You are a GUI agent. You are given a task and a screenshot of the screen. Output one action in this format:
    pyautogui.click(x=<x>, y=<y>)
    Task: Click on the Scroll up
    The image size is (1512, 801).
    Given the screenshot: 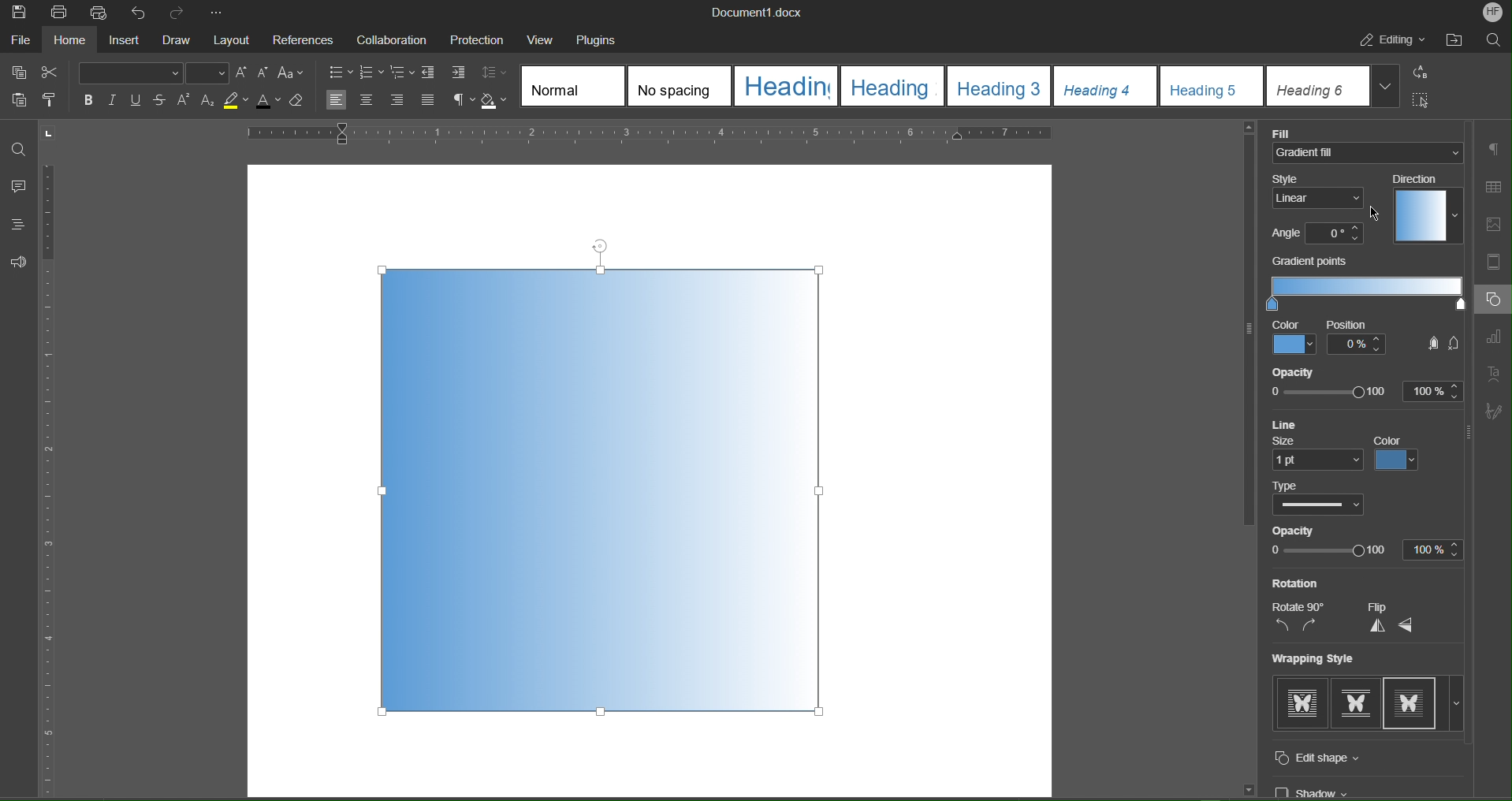 What is the action you would take?
    pyautogui.click(x=1246, y=129)
    